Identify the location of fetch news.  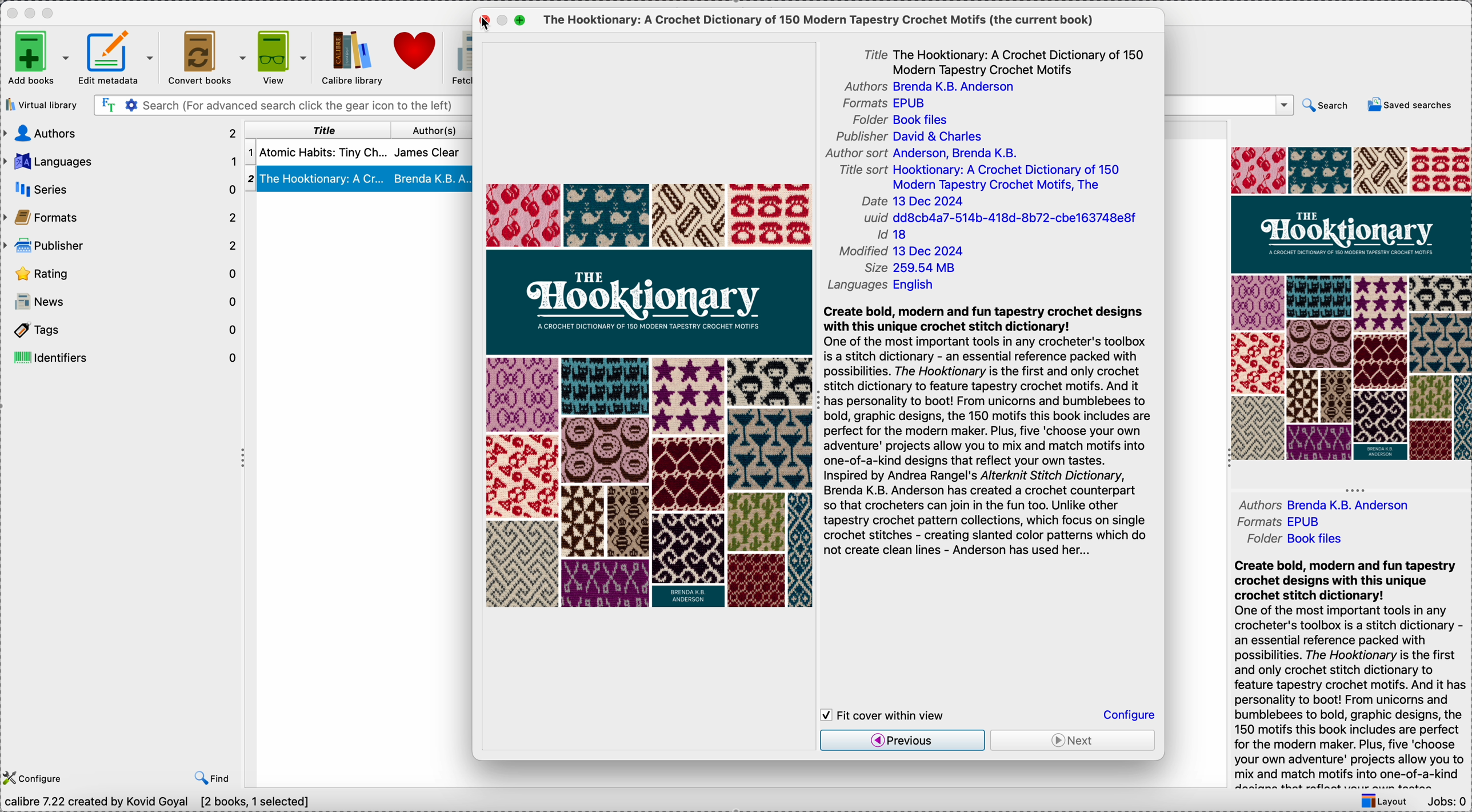
(458, 56).